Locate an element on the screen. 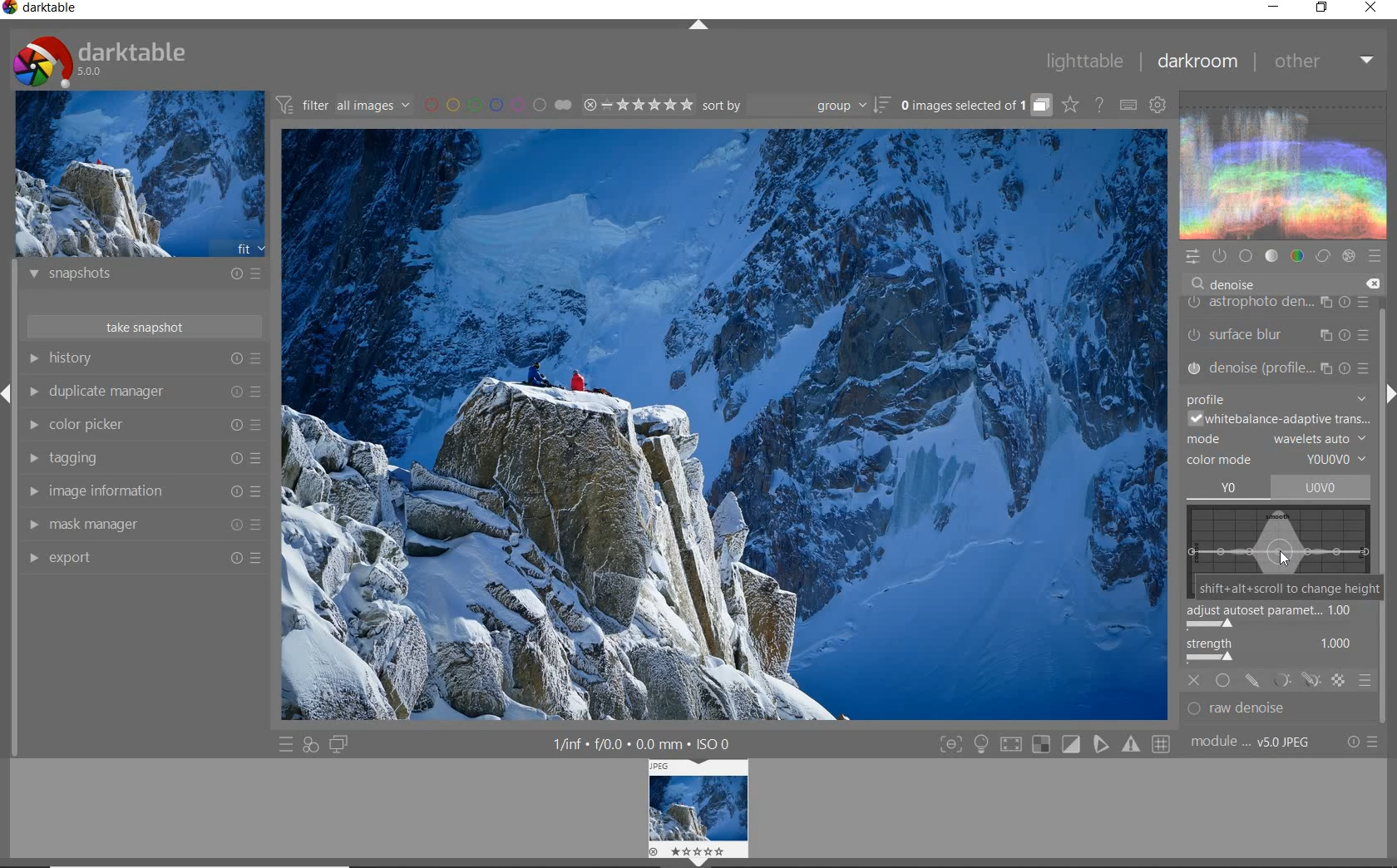  color picker is located at coordinates (141, 425).